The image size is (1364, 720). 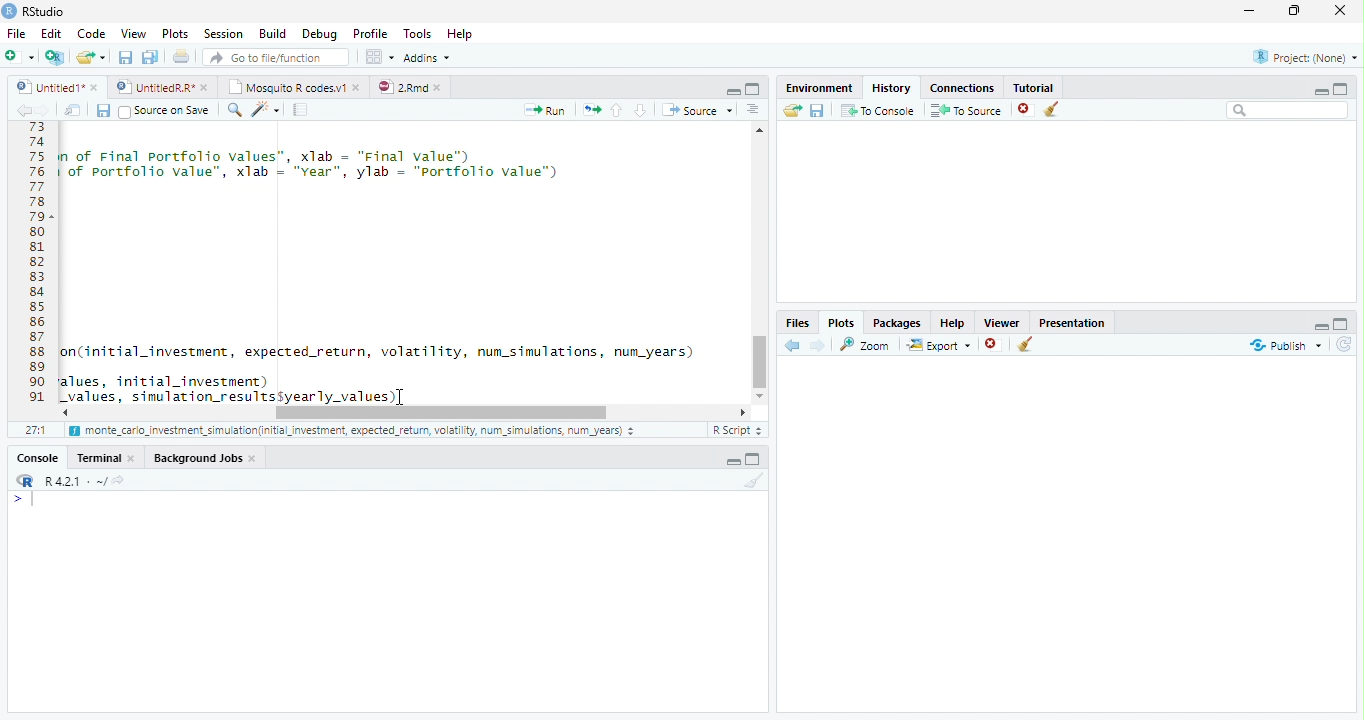 I want to click on Plots, so click(x=174, y=34).